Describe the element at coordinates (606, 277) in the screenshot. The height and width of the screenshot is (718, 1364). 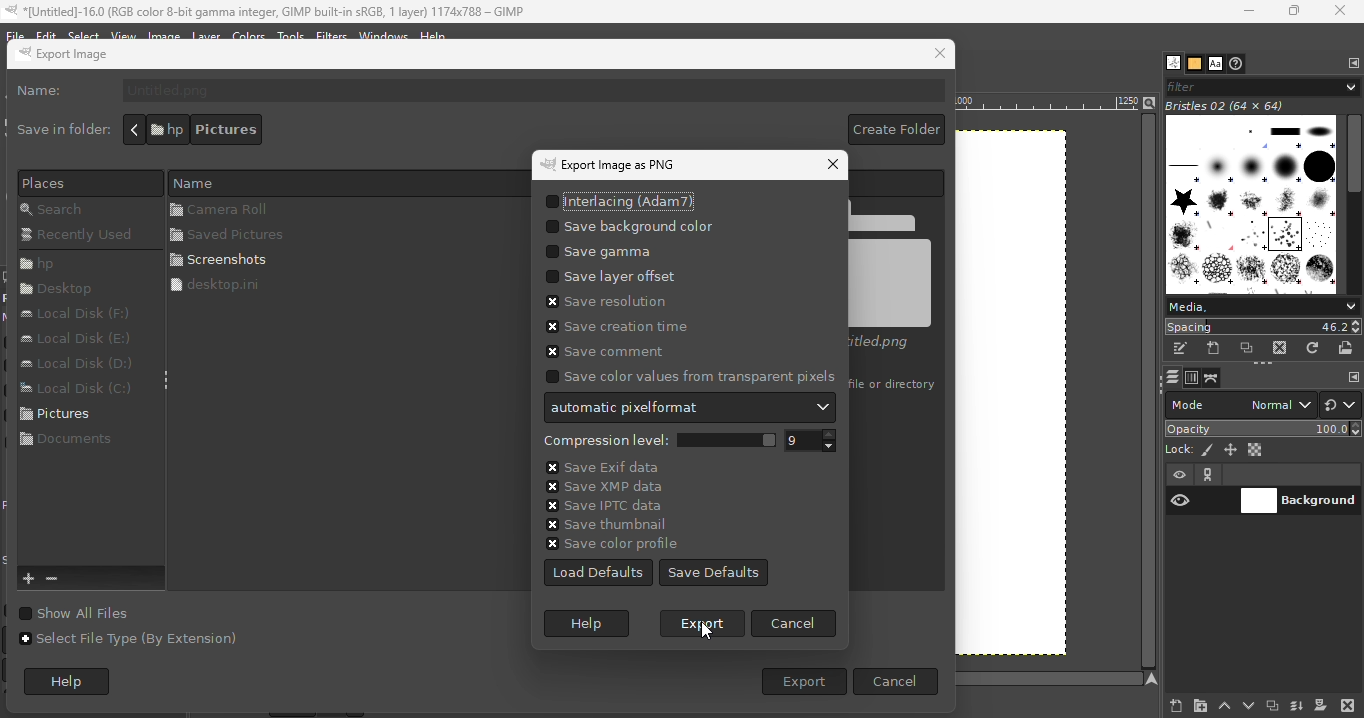
I see `Save layer offset` at that location.